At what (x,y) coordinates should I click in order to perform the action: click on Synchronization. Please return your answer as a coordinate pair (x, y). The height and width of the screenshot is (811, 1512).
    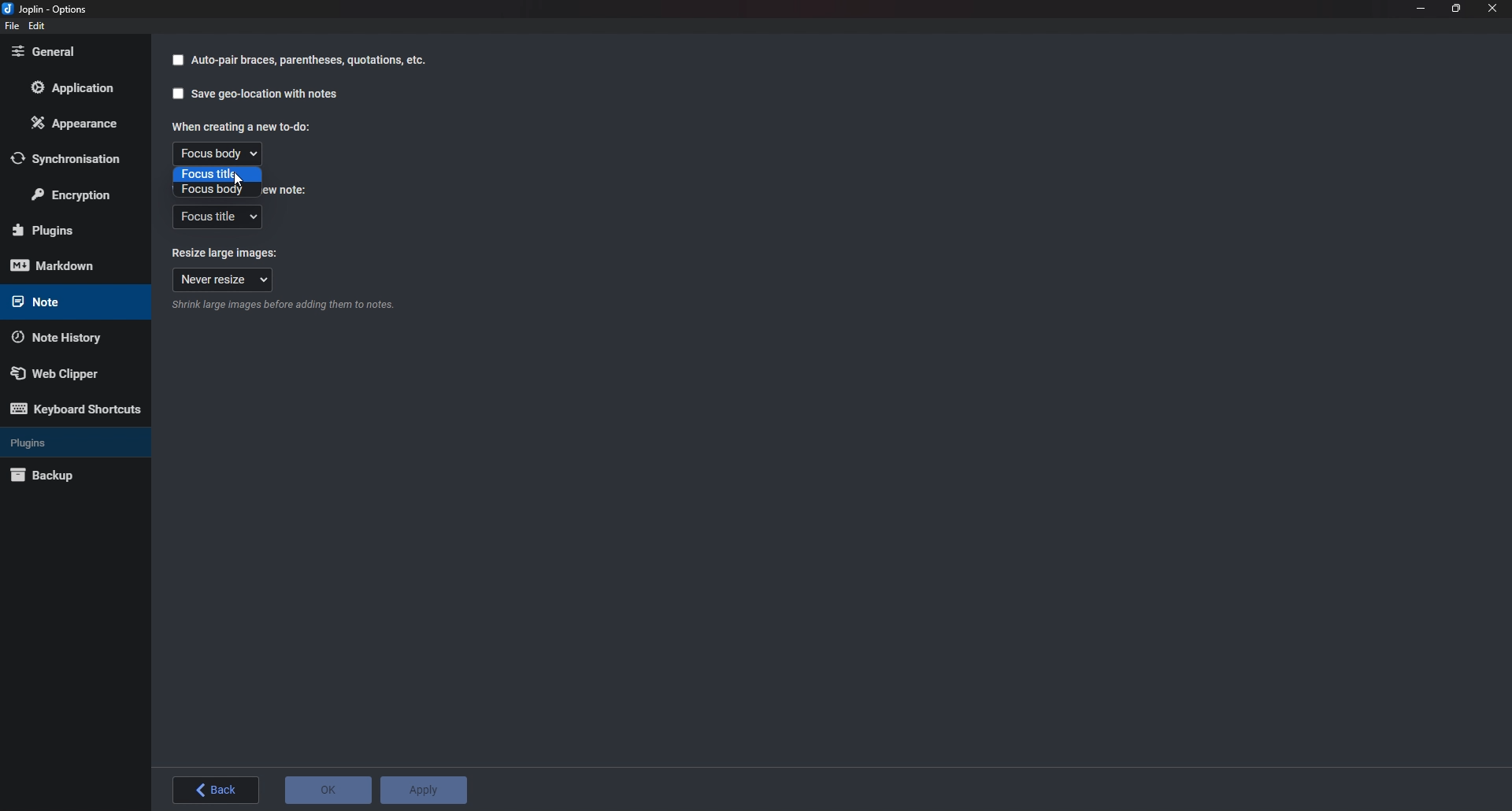
    Looking at the image, I should click on (73, 158).